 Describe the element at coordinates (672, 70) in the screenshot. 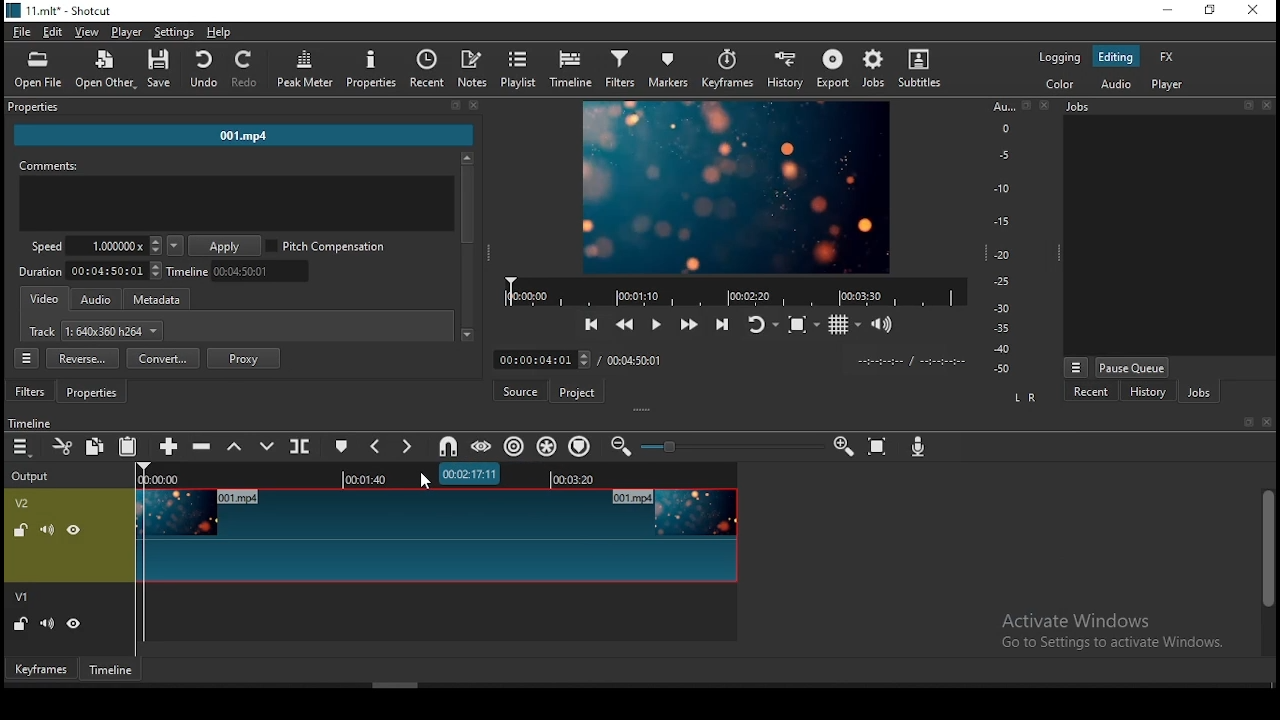

I see `markers` at that location.